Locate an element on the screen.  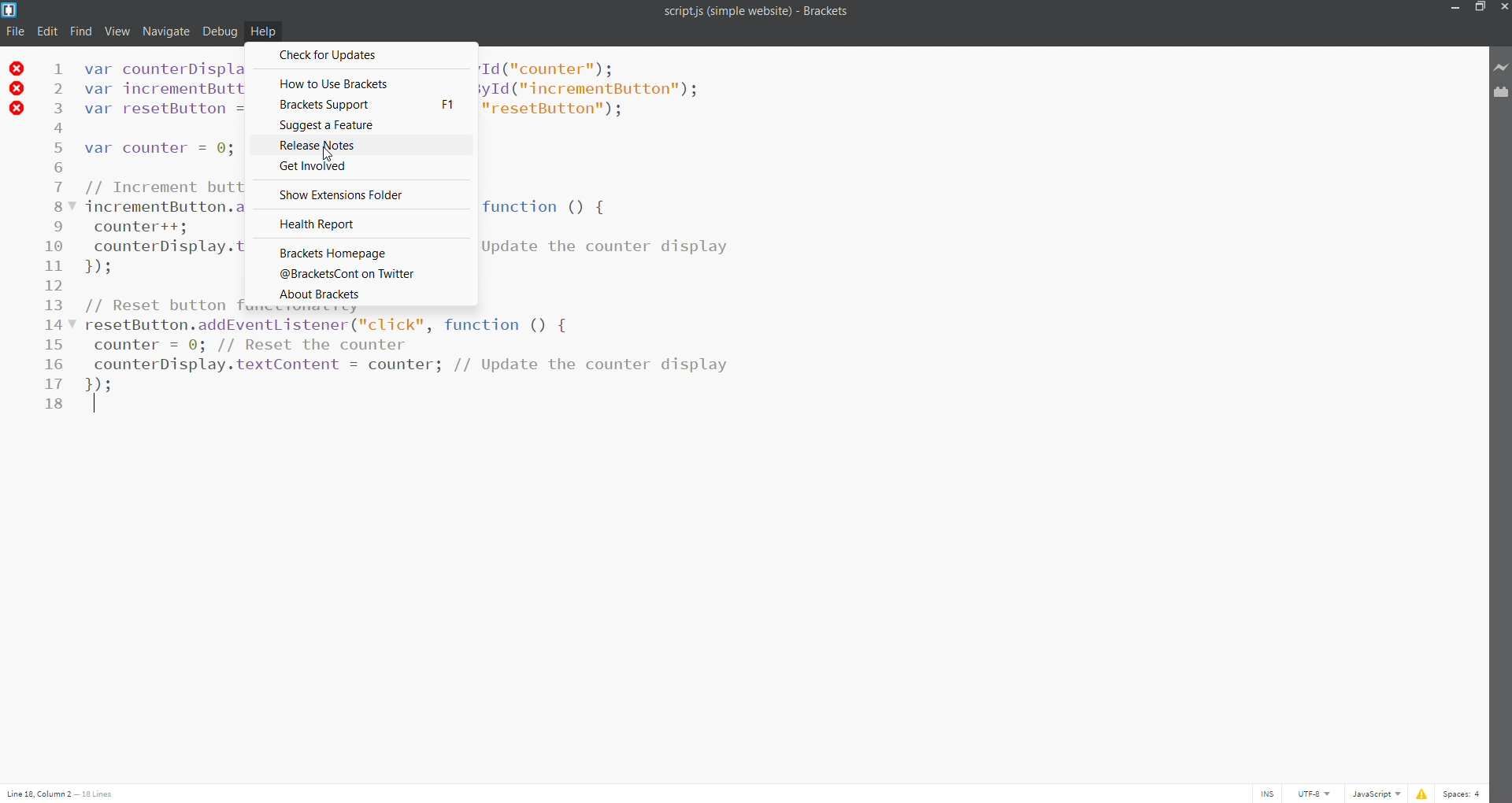
line error  is located at coordinates (17, 89).